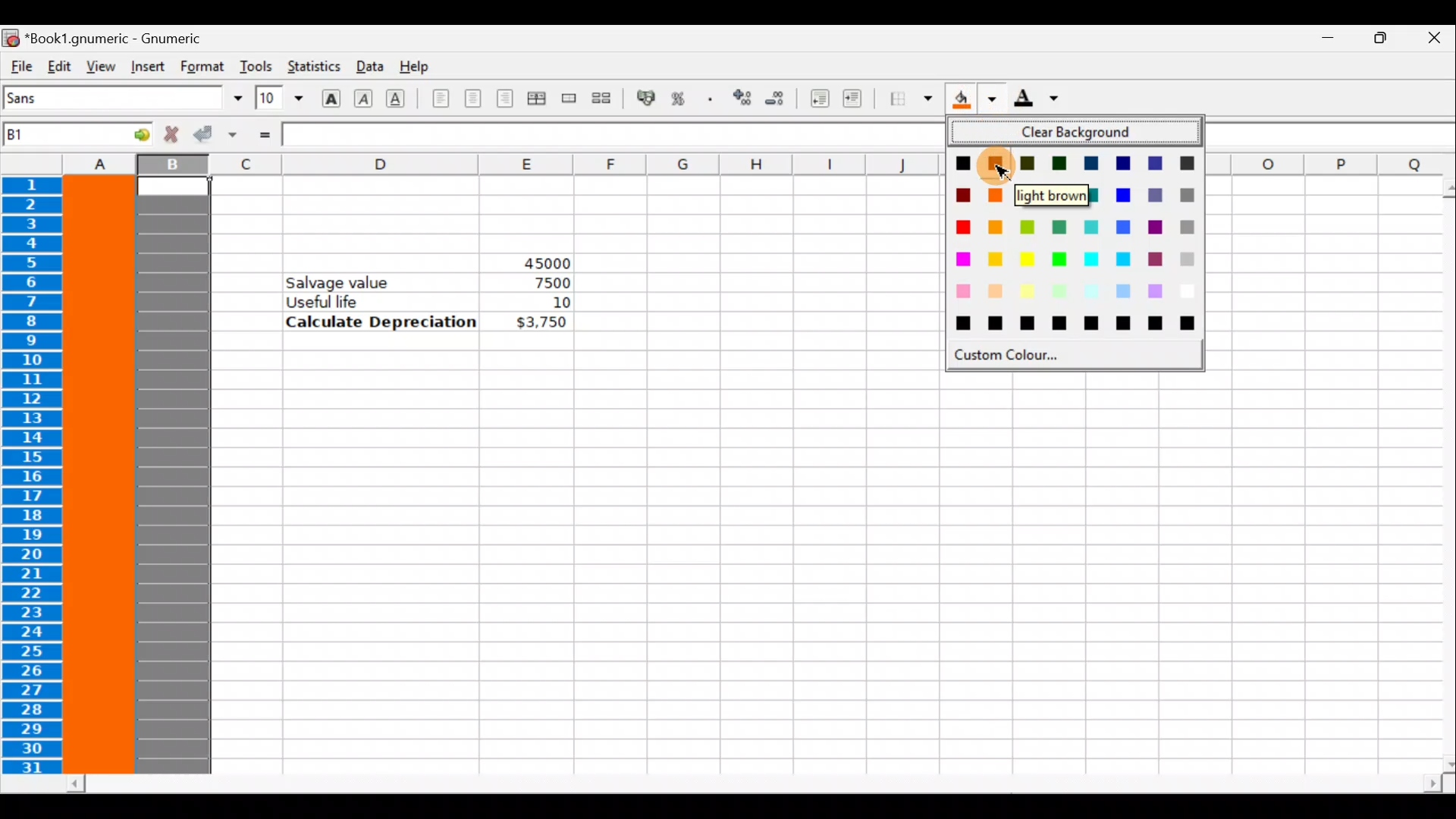  Describe the element at coordinates (384, 301) in the screenshot. I see `Useful life` at that location.